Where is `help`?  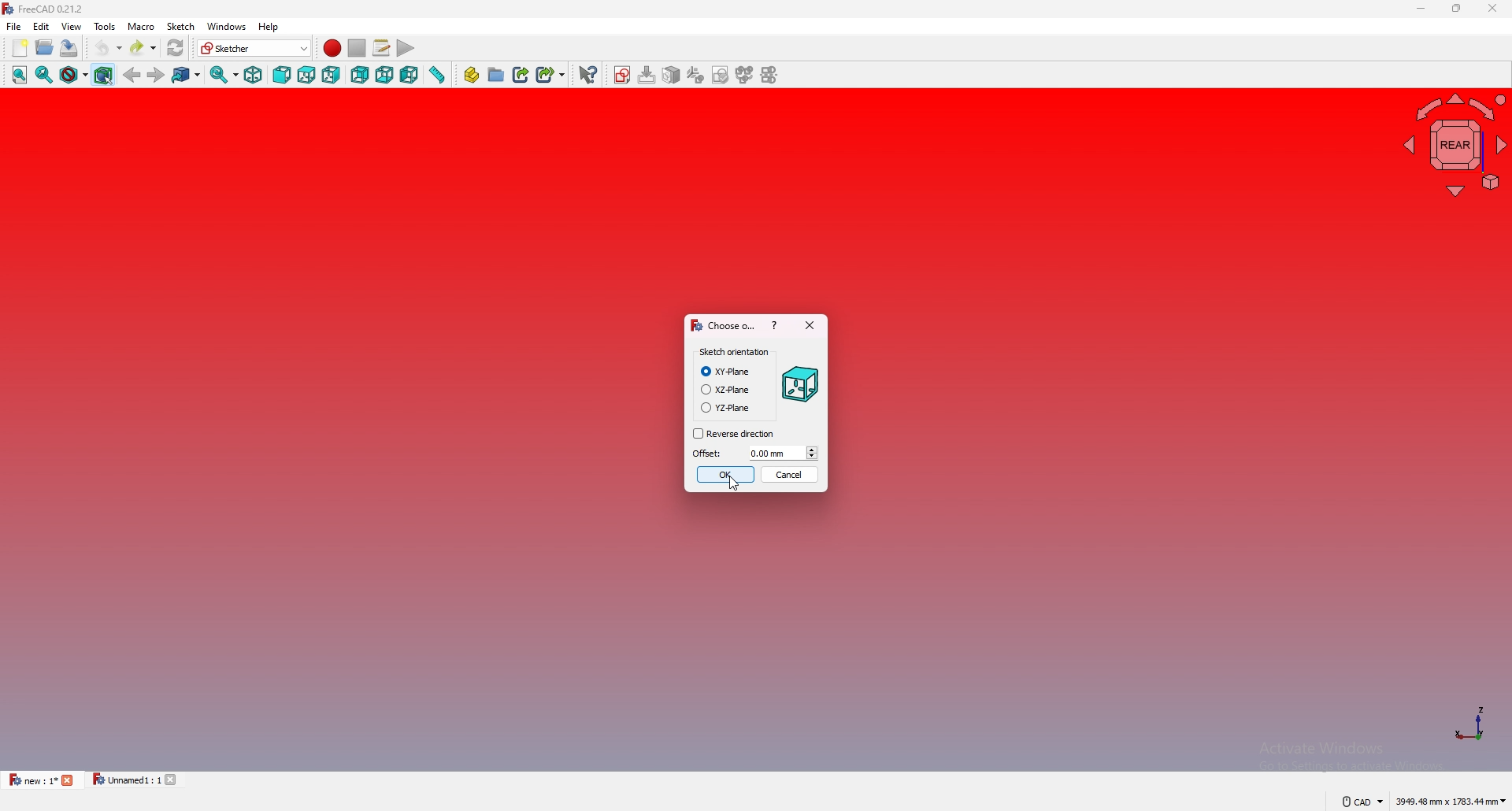 help is located at coordinates (776, 324).